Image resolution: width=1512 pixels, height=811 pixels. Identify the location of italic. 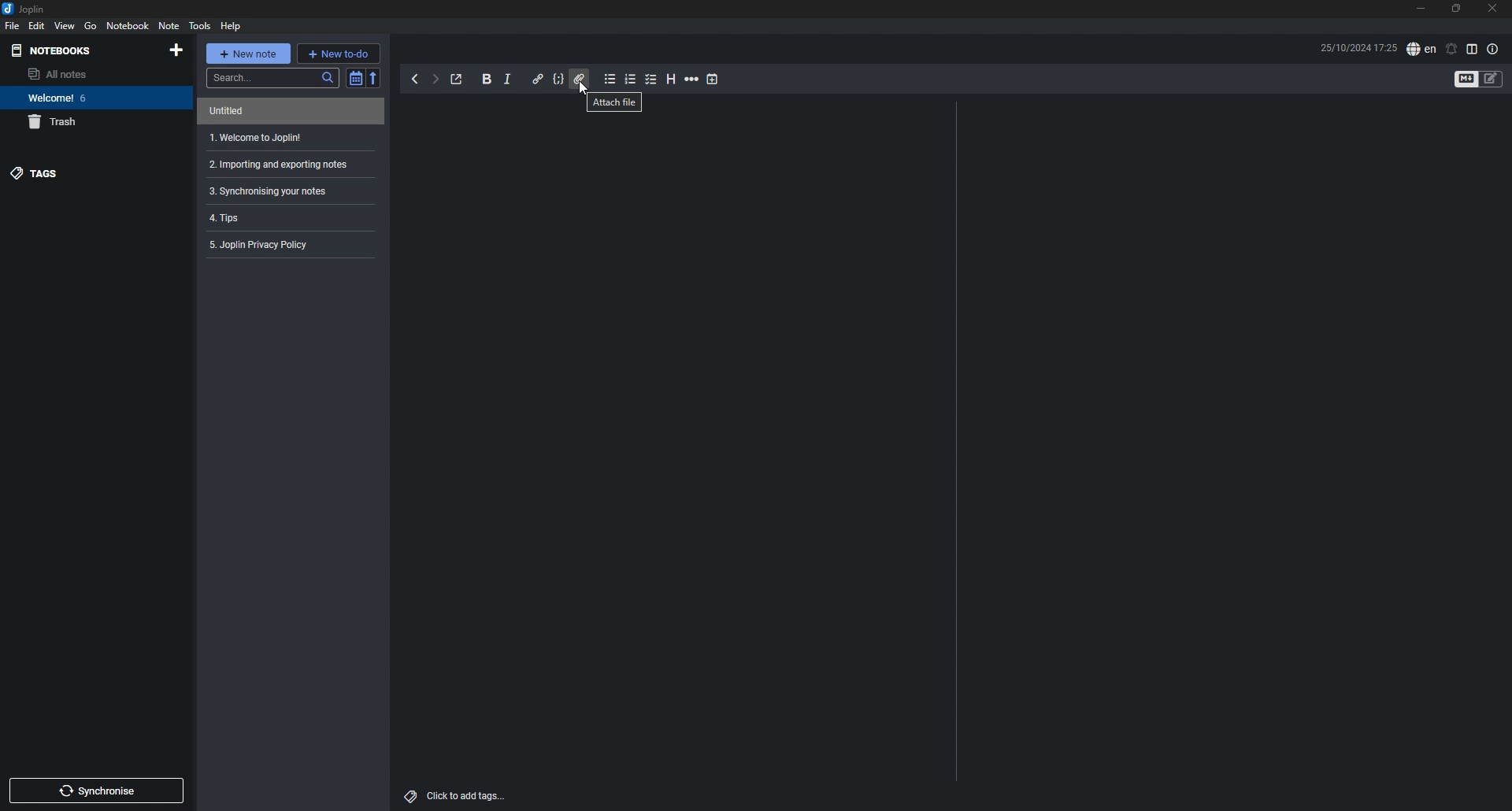
(507, 80).